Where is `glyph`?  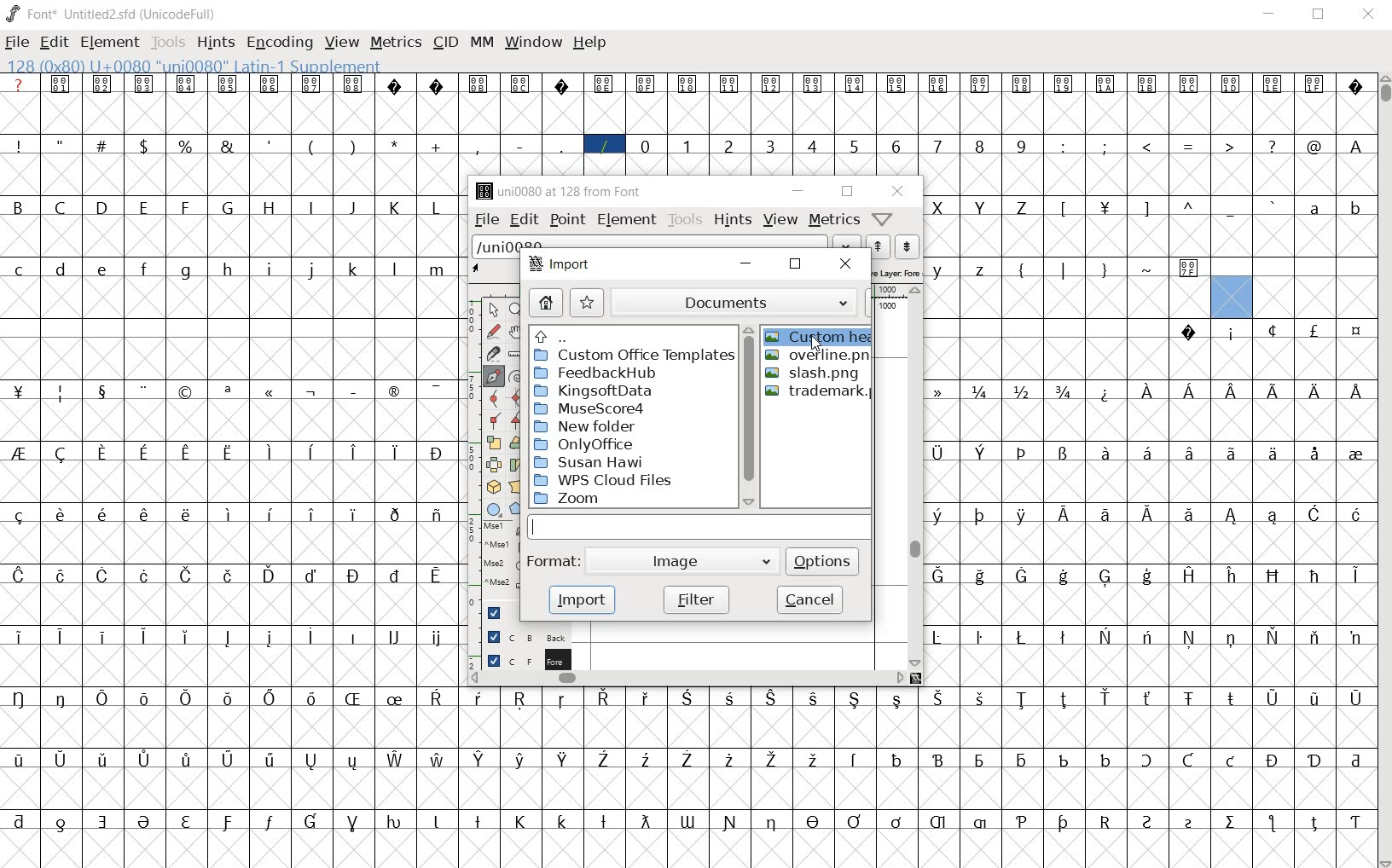 glyph is located at coordinates (144, 576).